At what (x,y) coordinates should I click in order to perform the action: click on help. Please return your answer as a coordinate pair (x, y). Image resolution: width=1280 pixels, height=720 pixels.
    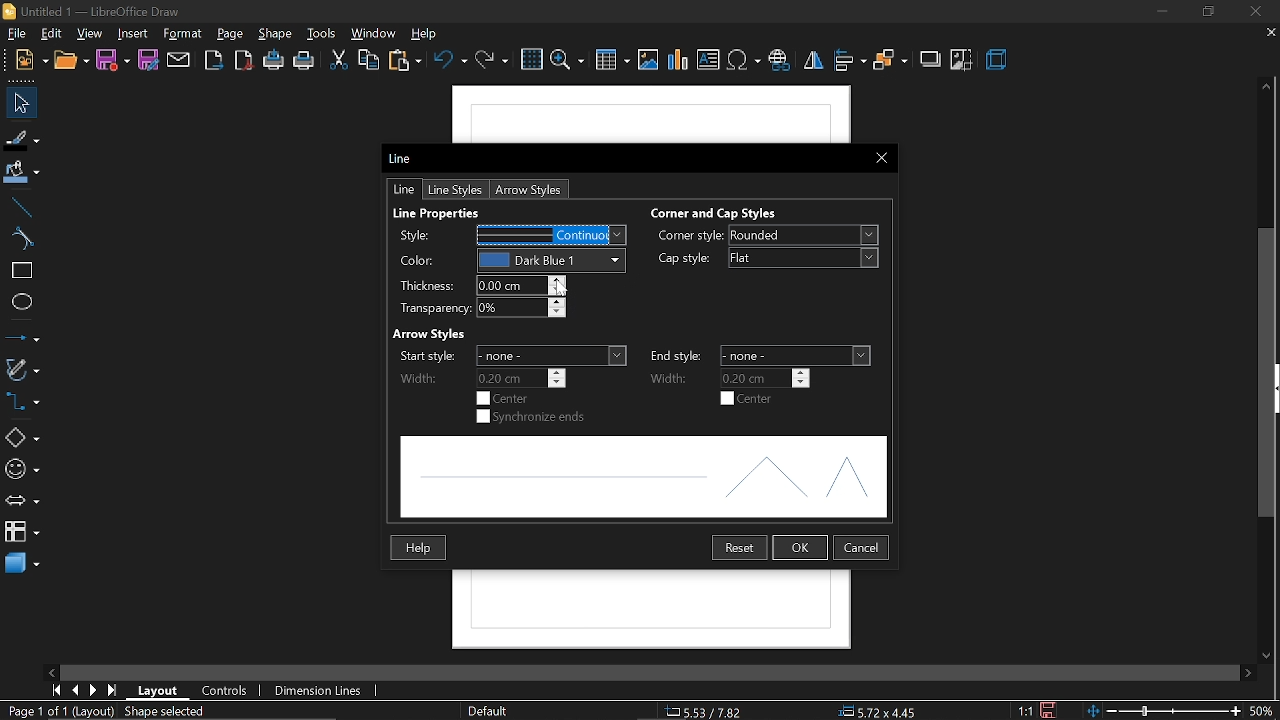
    Looking at the image, I should click on (421, 547).